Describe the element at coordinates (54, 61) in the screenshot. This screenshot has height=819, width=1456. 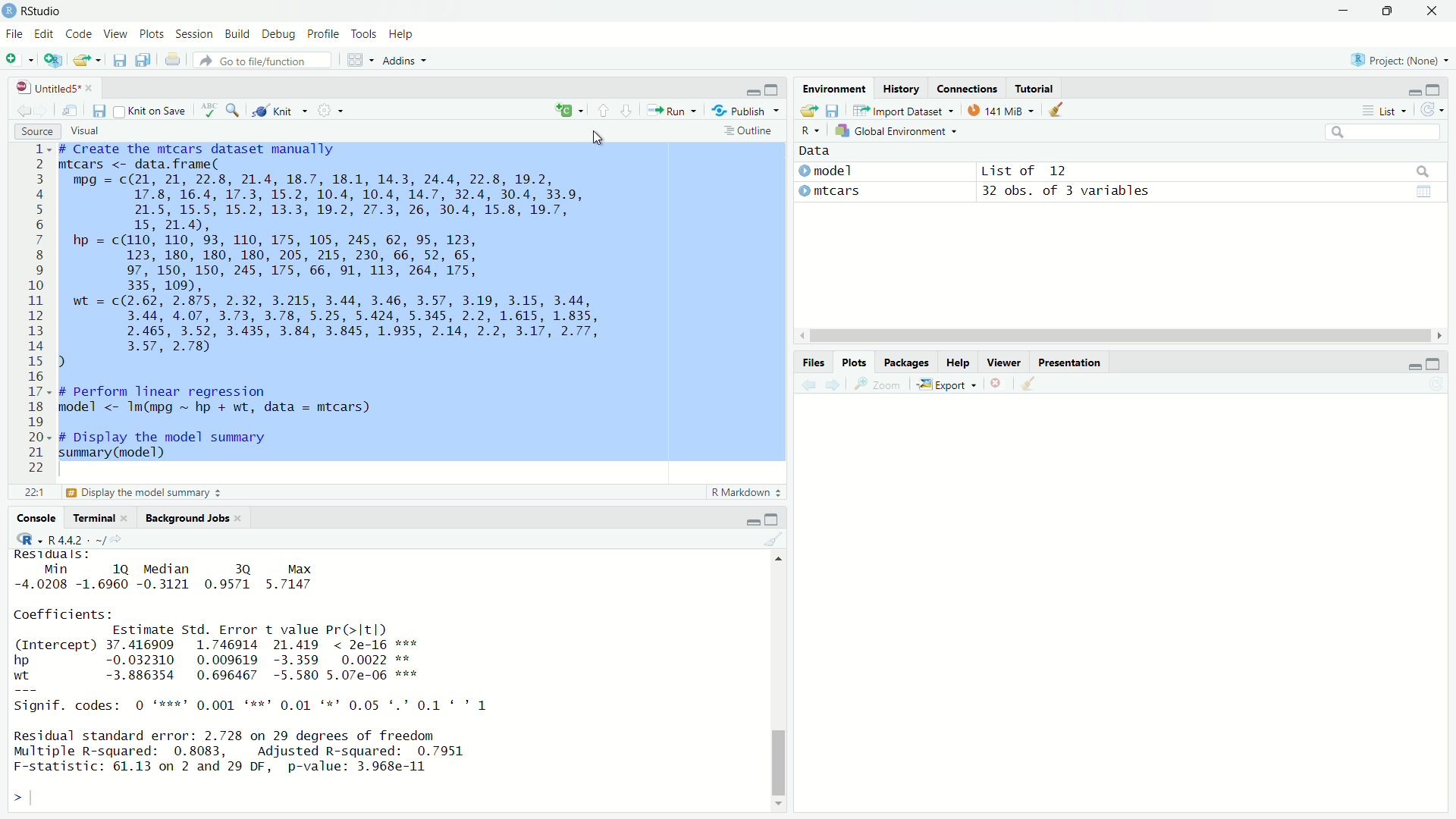
I see `create project` at that location.